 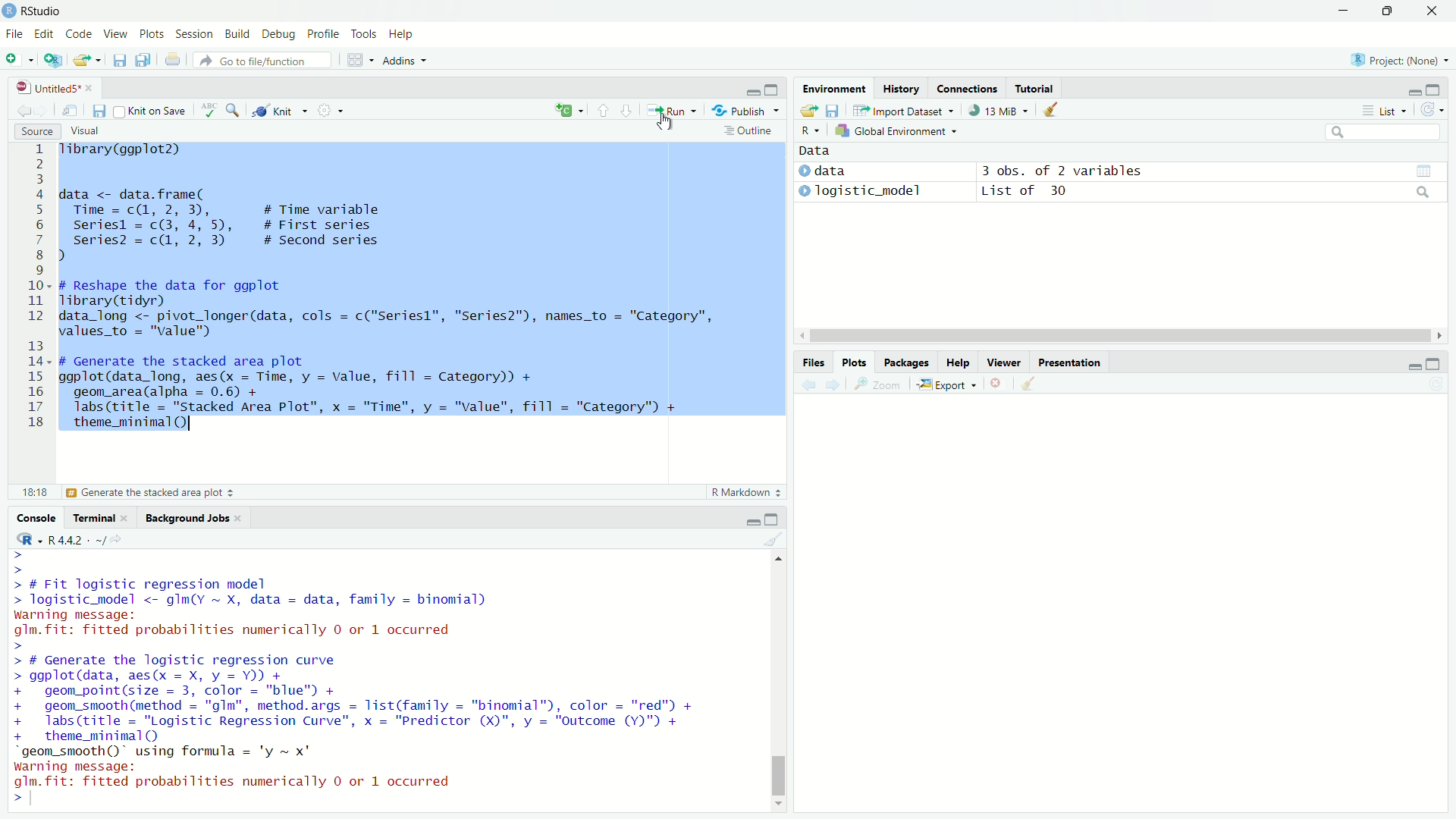 I want to click on zoom, so click(x=880, y=387).